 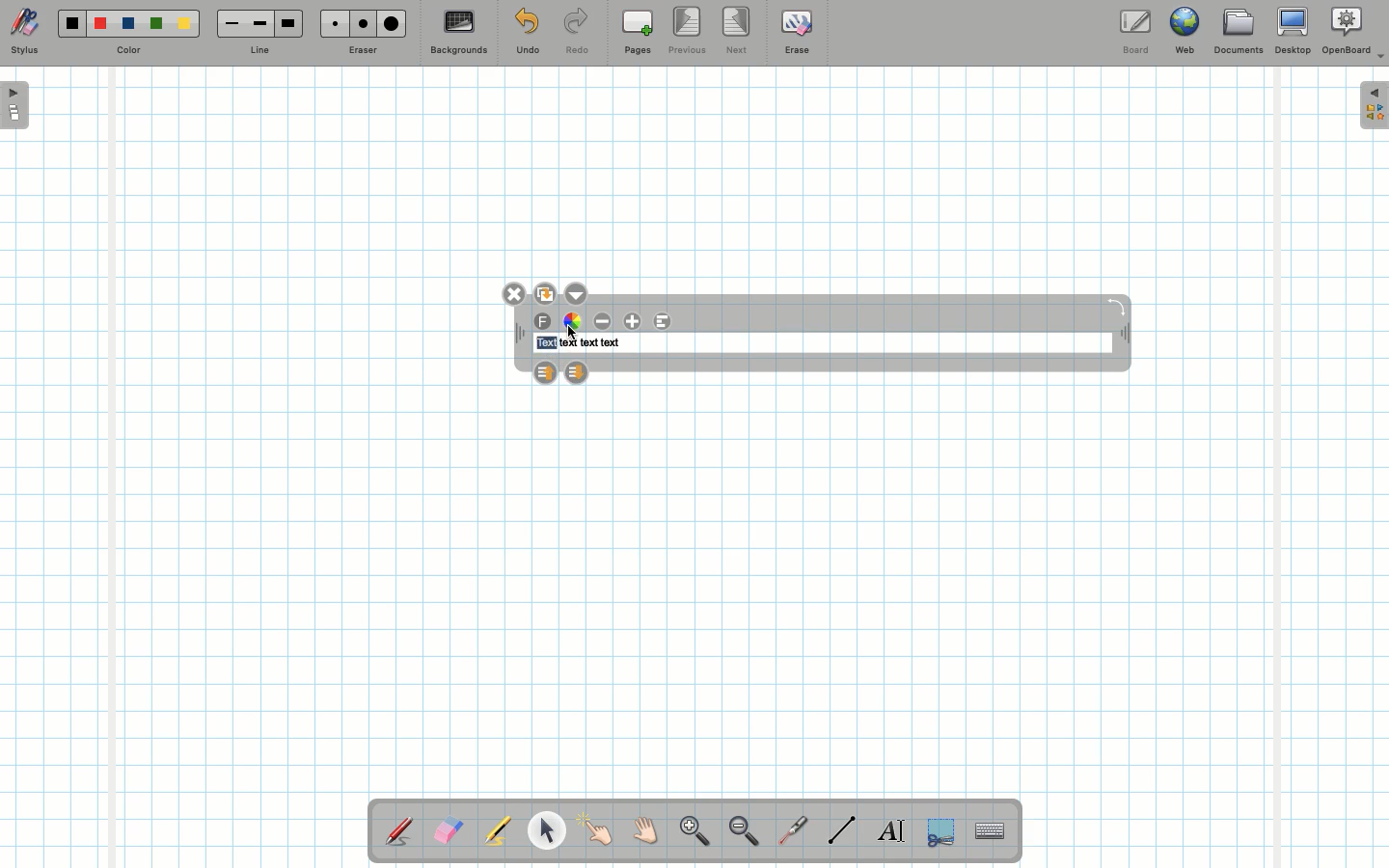 What do you see at coordinates (229, 24) in the screenshot?
I see `Small line` at bounding box center [229, 24].